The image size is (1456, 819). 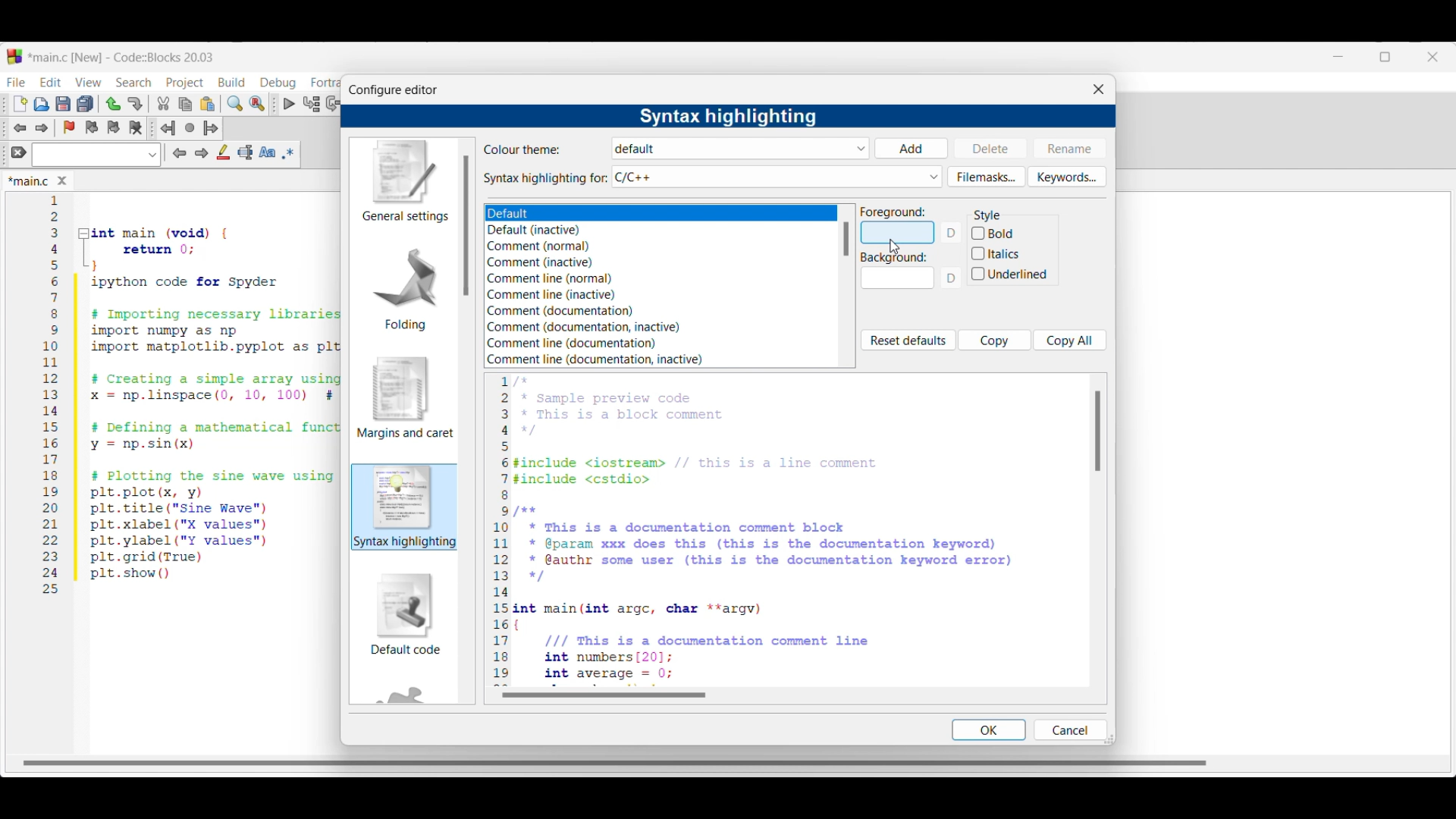 I want to click on Vertical slide bar, so click(x=846, y=239).